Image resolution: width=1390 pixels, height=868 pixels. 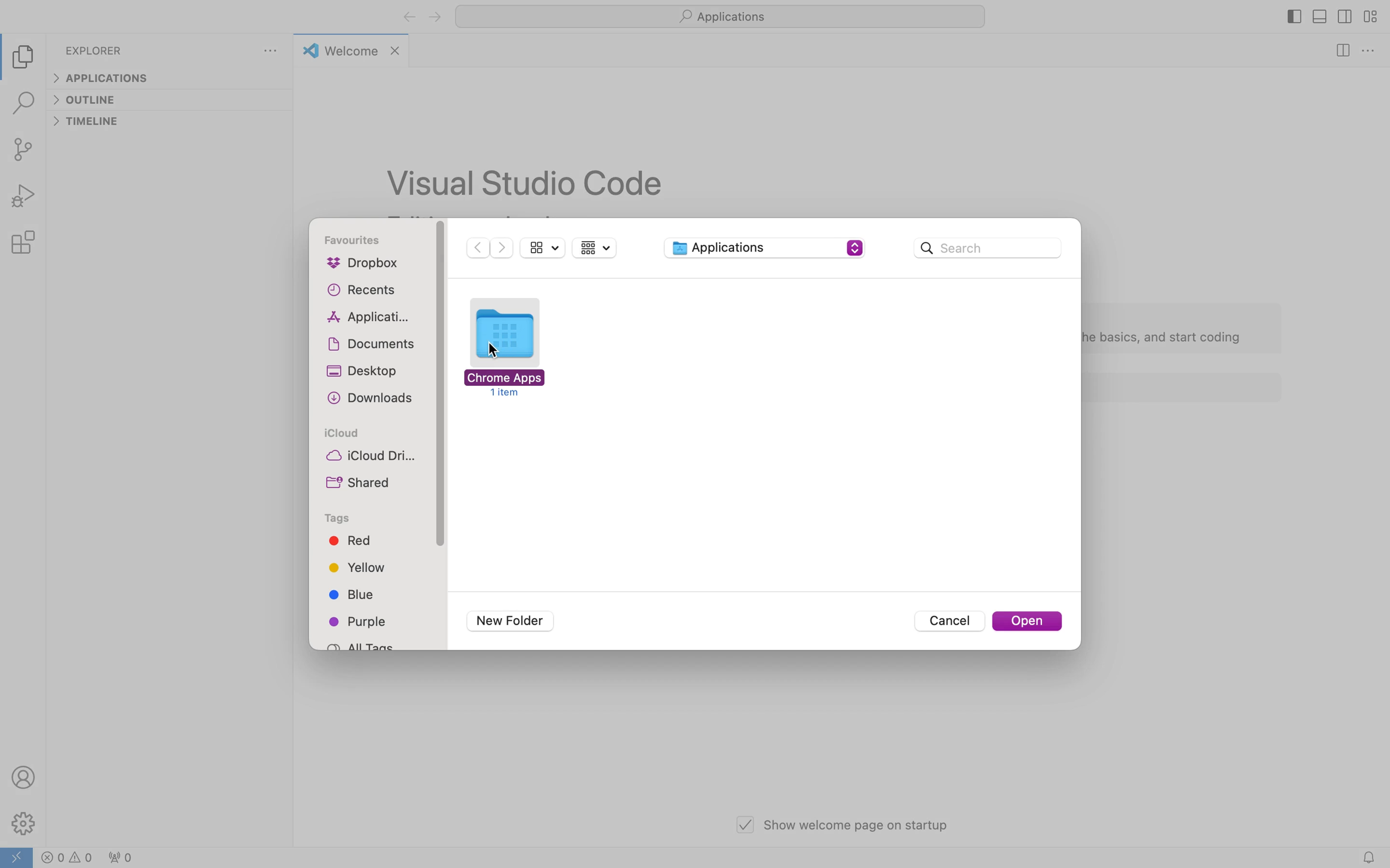 I want to click on downloads, so click(x=373, y=400).